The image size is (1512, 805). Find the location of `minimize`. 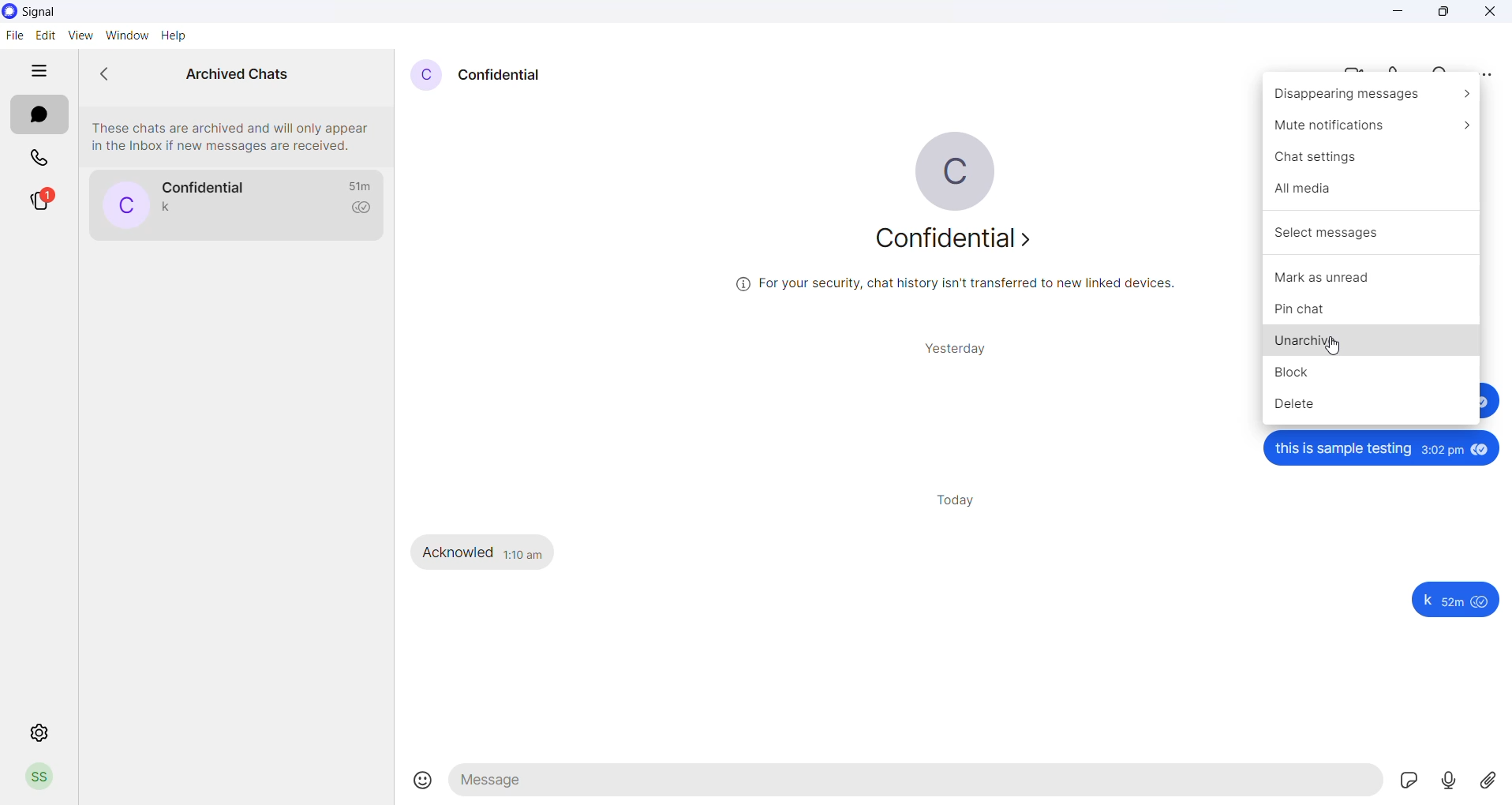

minimize is located at coordinates (1395, 13).